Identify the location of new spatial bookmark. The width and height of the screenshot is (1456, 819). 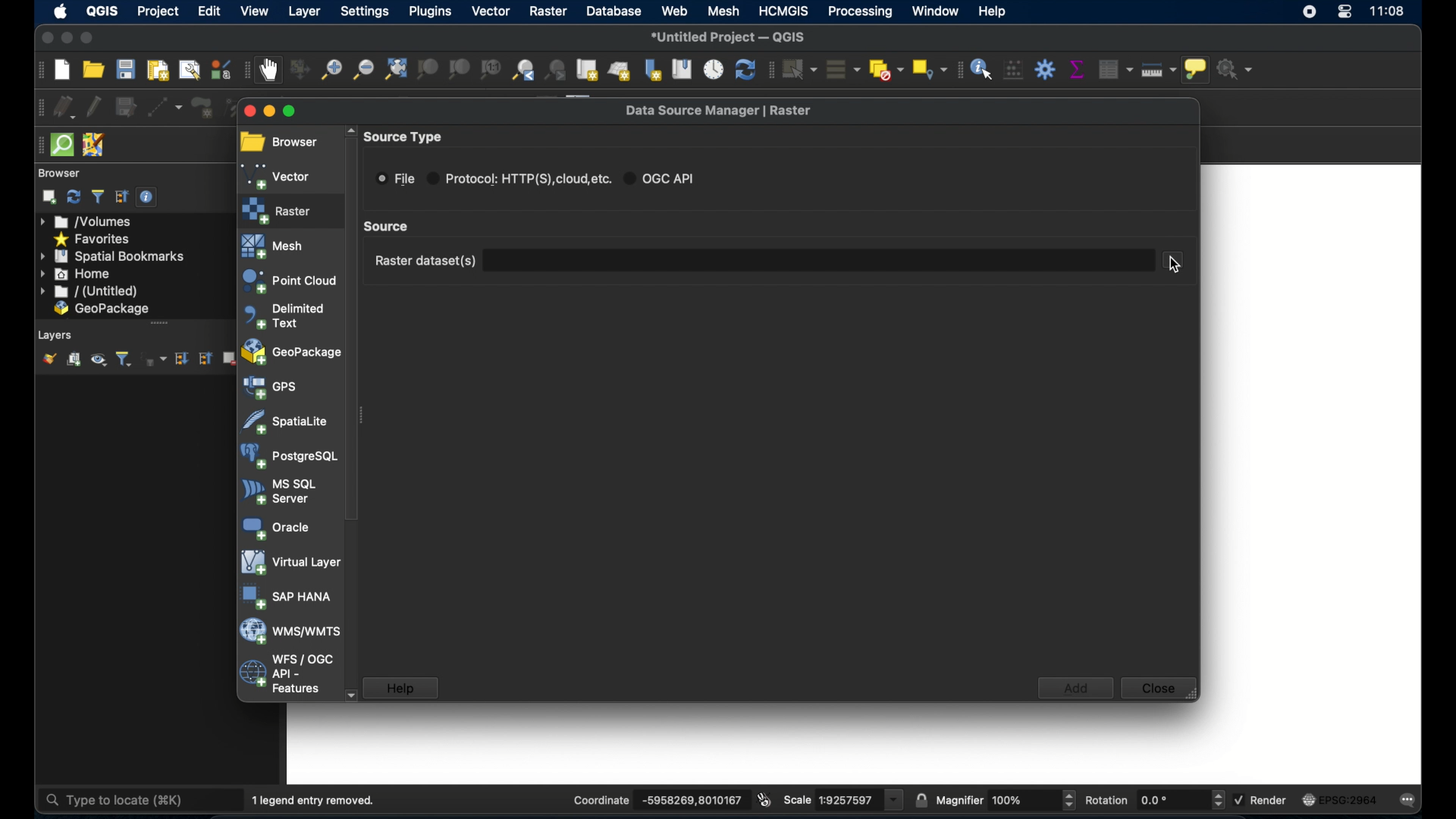
(654, 69).